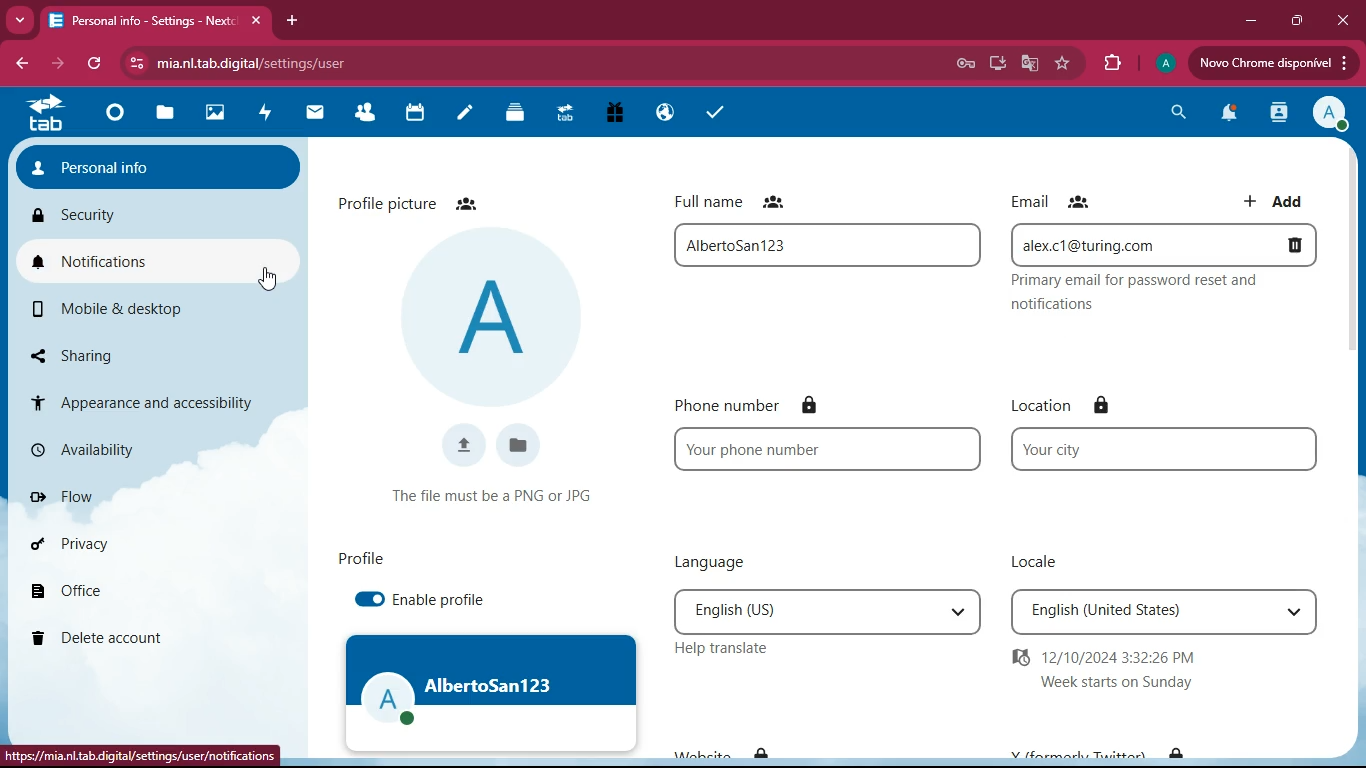  I want to click on refresh, so click(97, 62).